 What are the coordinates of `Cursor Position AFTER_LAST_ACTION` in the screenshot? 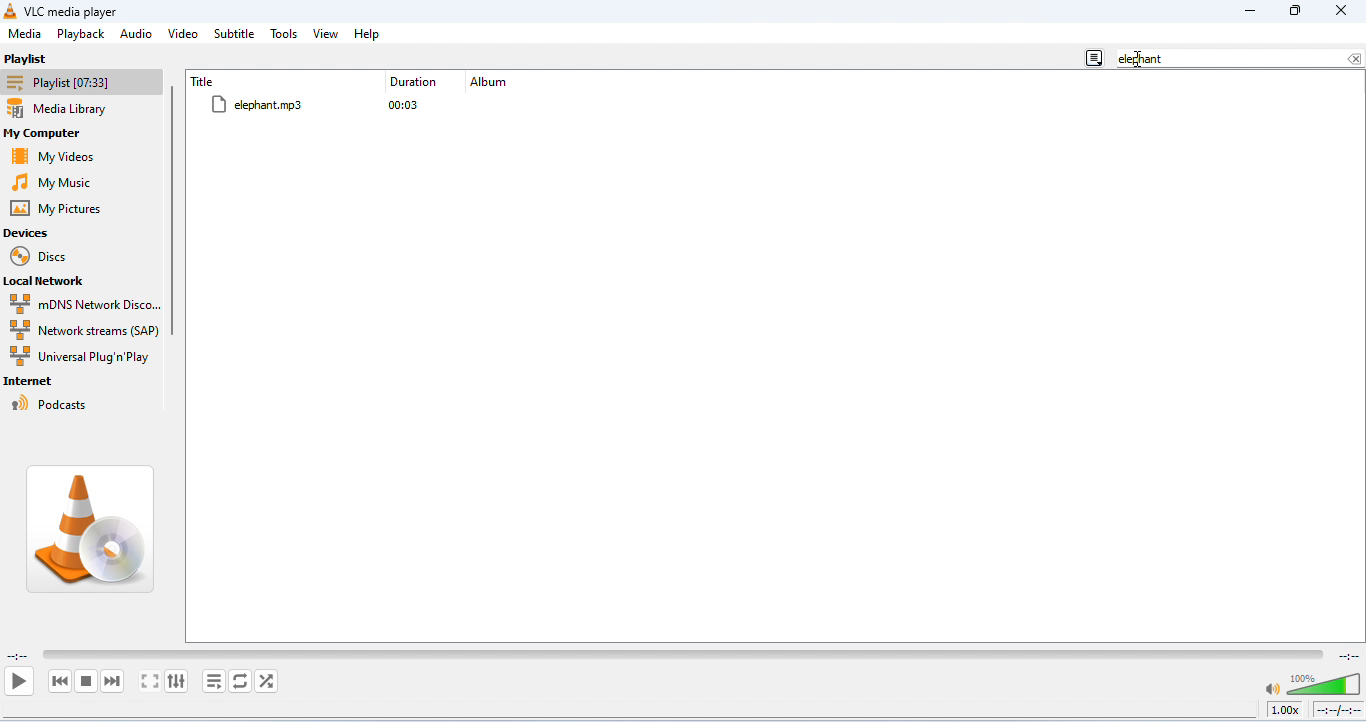 It's located at (1139, 59).